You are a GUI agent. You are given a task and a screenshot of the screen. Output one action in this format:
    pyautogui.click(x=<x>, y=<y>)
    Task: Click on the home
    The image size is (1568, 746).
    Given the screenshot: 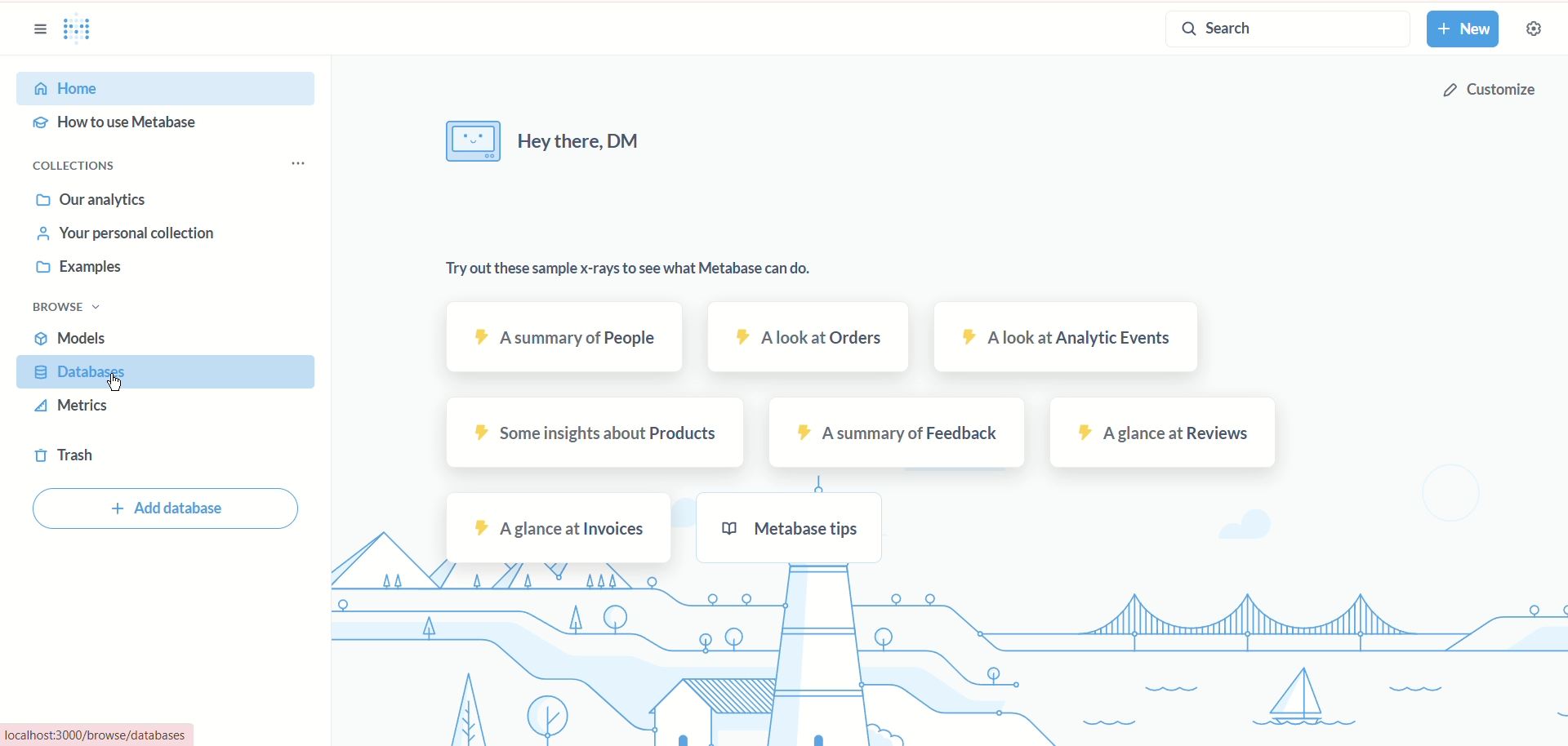 What is the action you would take?
    pyautogui.click(x=169, y=90)
    